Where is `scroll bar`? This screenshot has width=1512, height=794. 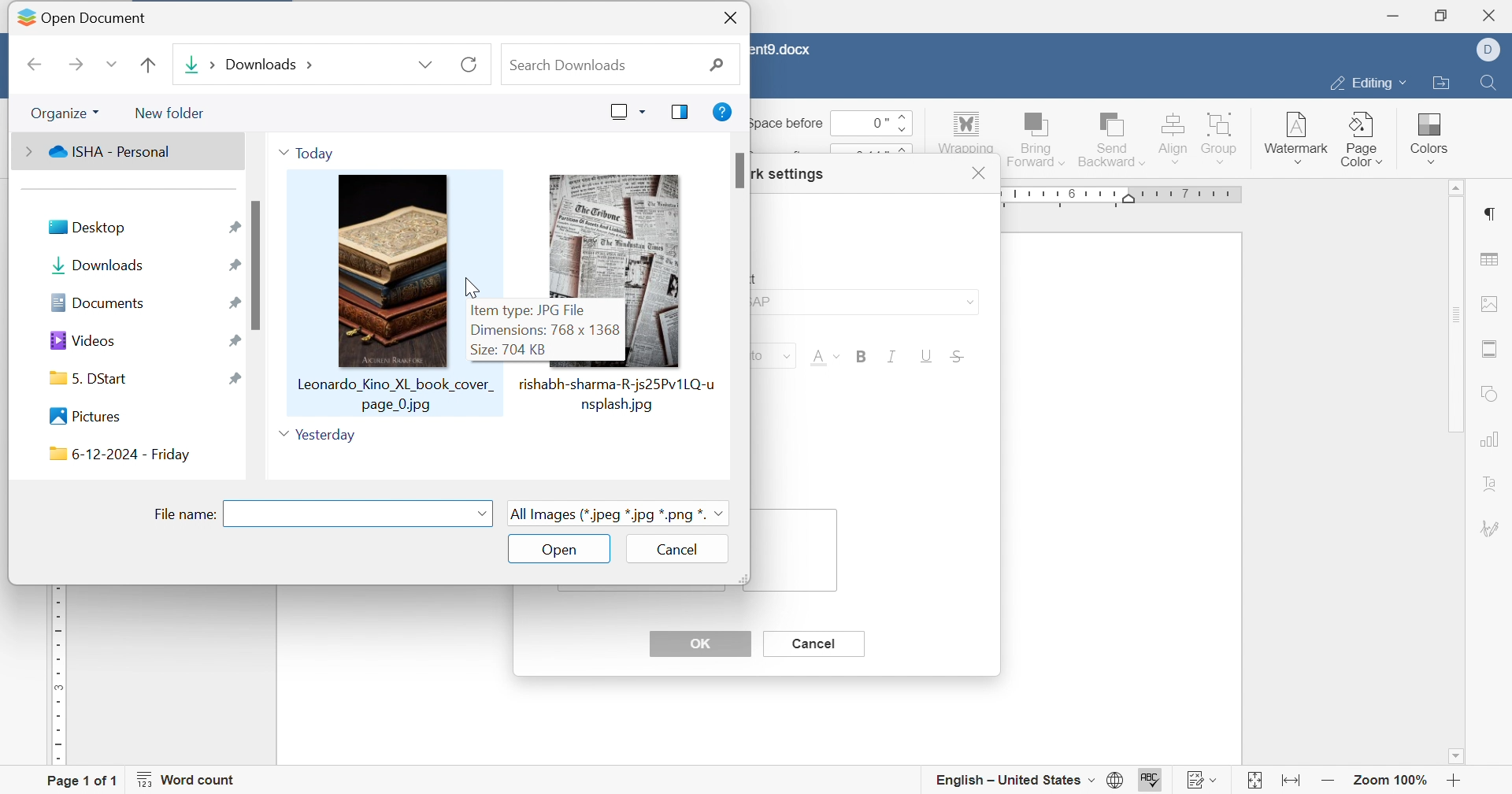 scroll bar is located at coordinates (741, 169).